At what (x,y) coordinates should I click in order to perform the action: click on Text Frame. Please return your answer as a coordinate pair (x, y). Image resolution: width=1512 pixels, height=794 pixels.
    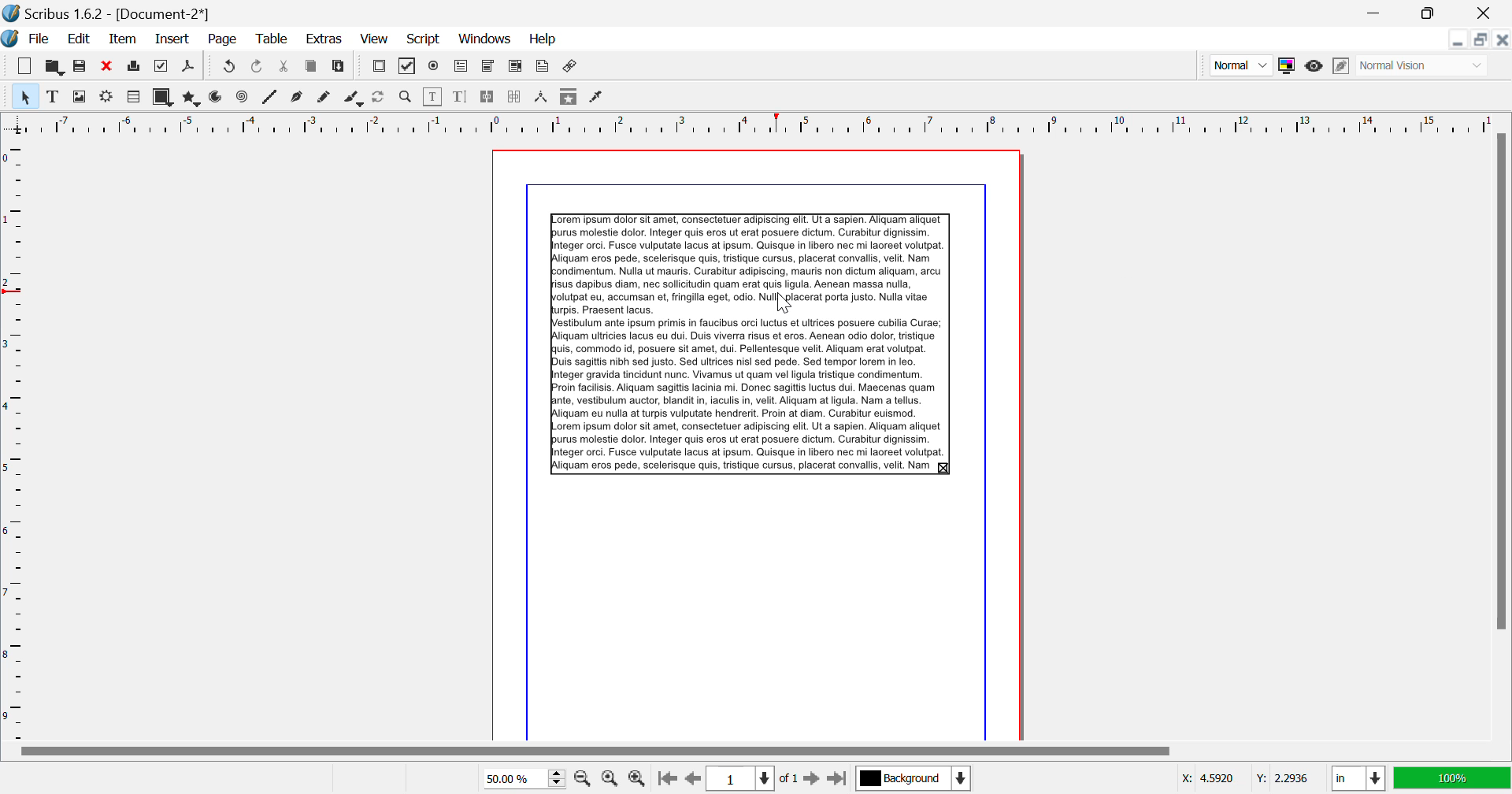
    Looking at the image, I should click on (53, 96).